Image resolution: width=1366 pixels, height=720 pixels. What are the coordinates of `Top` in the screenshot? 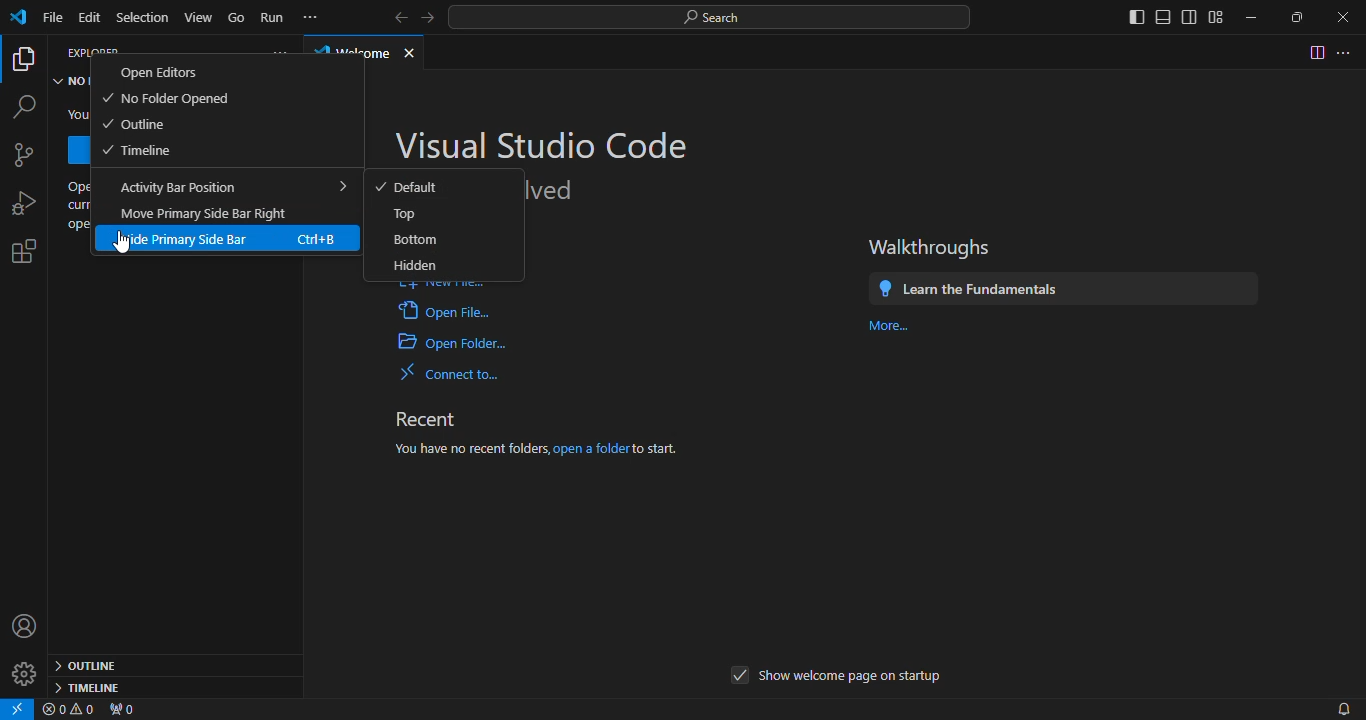 It's located at (406, 214).